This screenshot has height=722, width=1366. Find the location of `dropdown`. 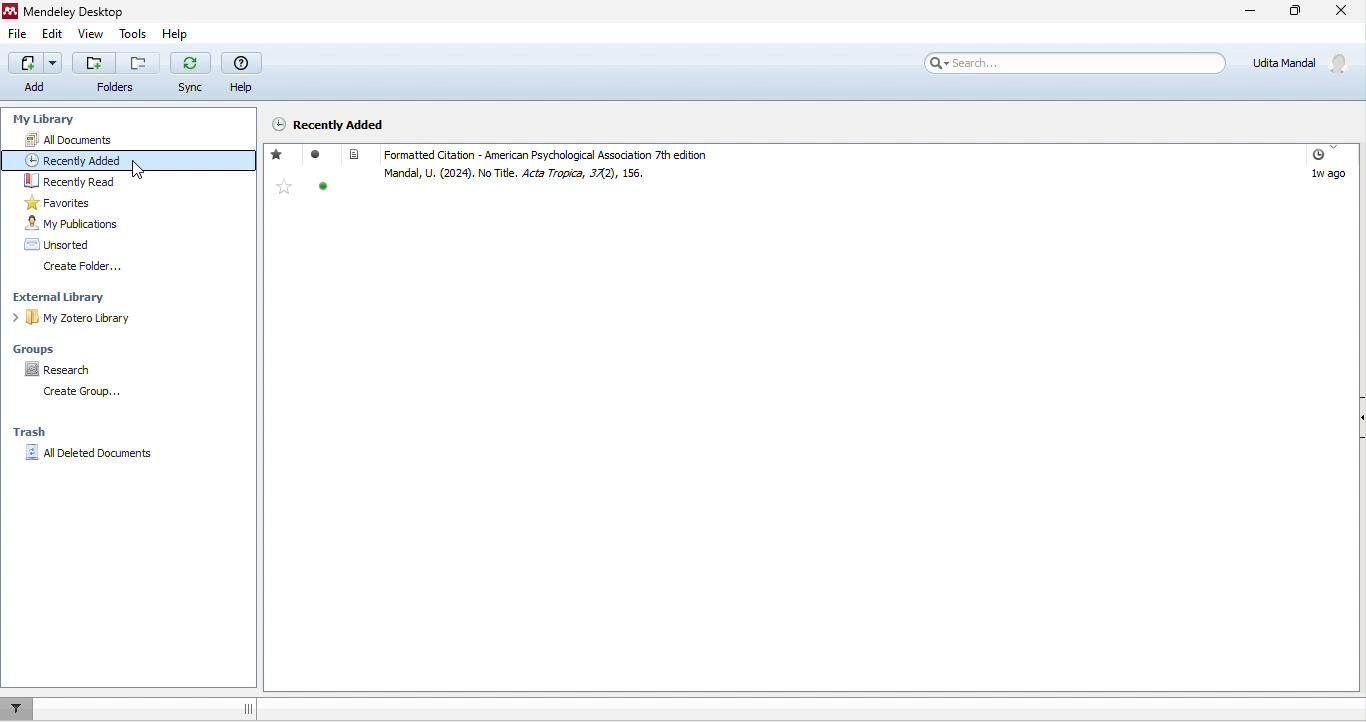

dropdown is located at coordinates (1336, 150).